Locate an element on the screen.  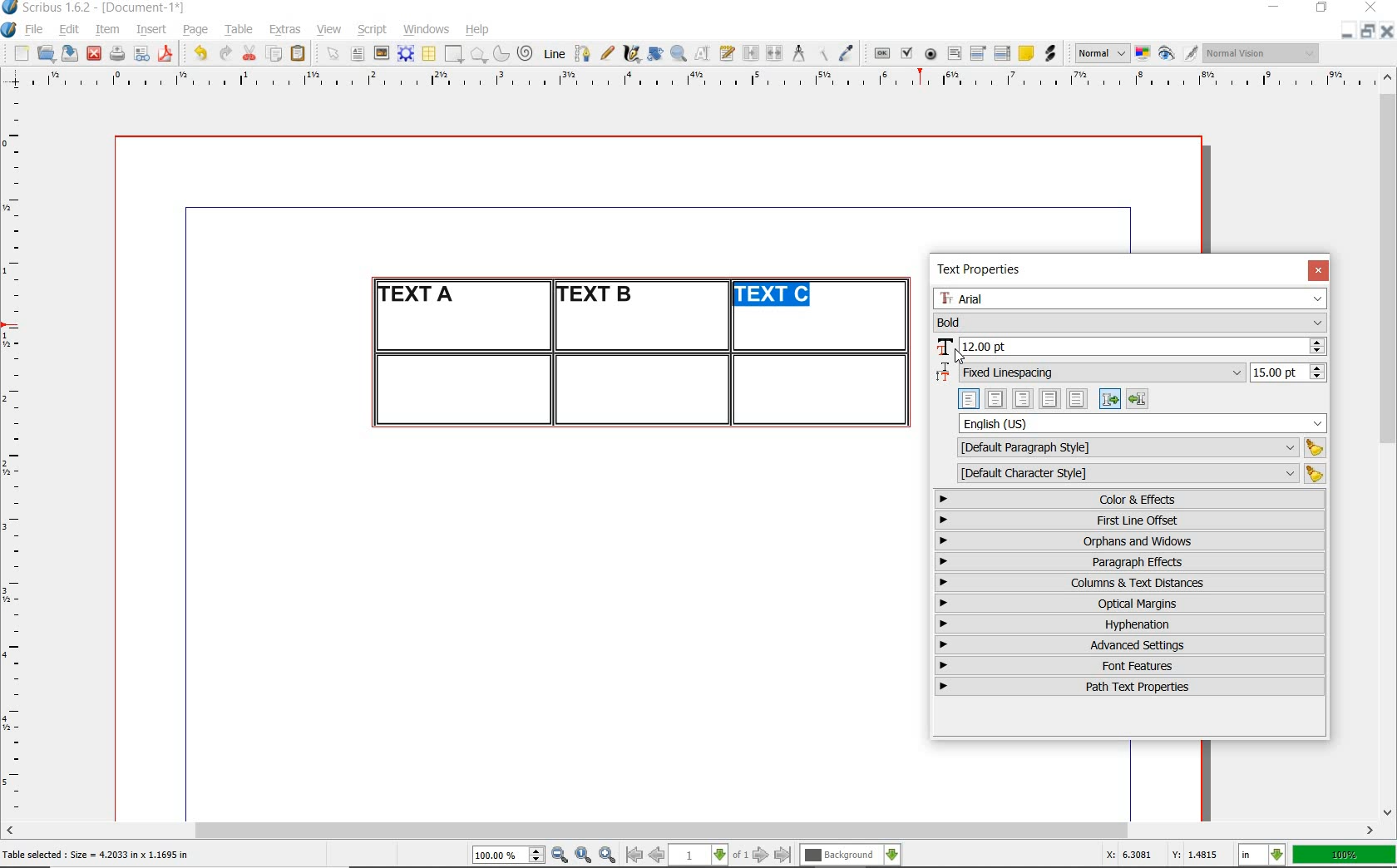
rotate item is located at coordinates (655, 53).